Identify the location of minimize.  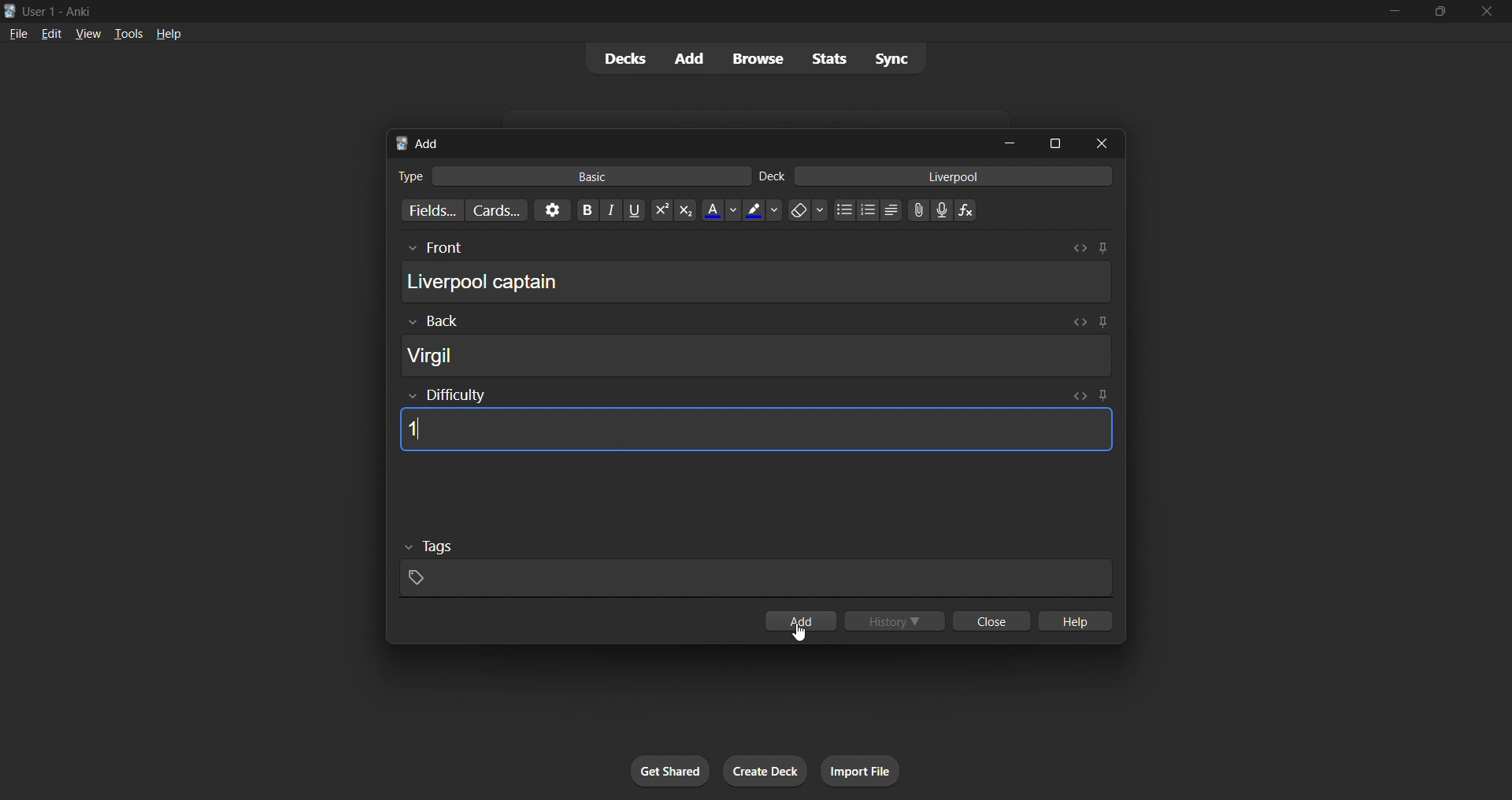
(1394, 12).